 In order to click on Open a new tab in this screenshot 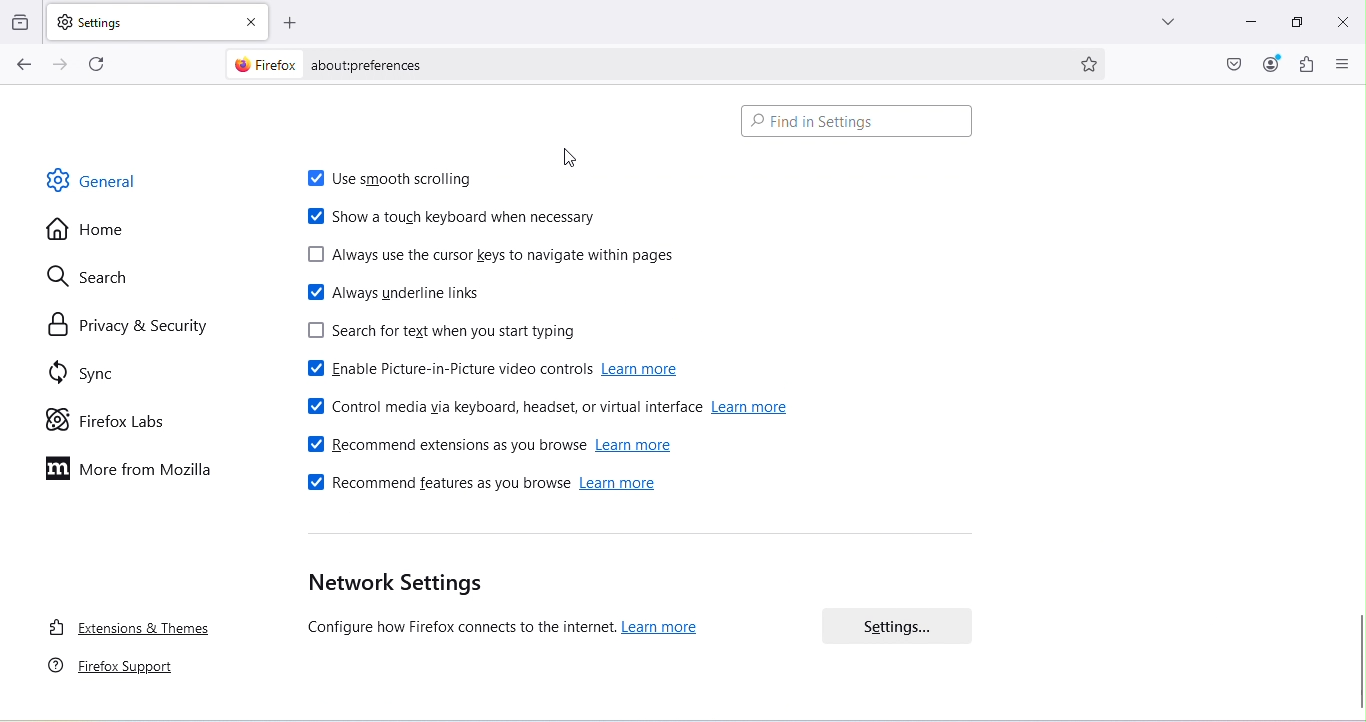, I will do `click(299, 25)`.